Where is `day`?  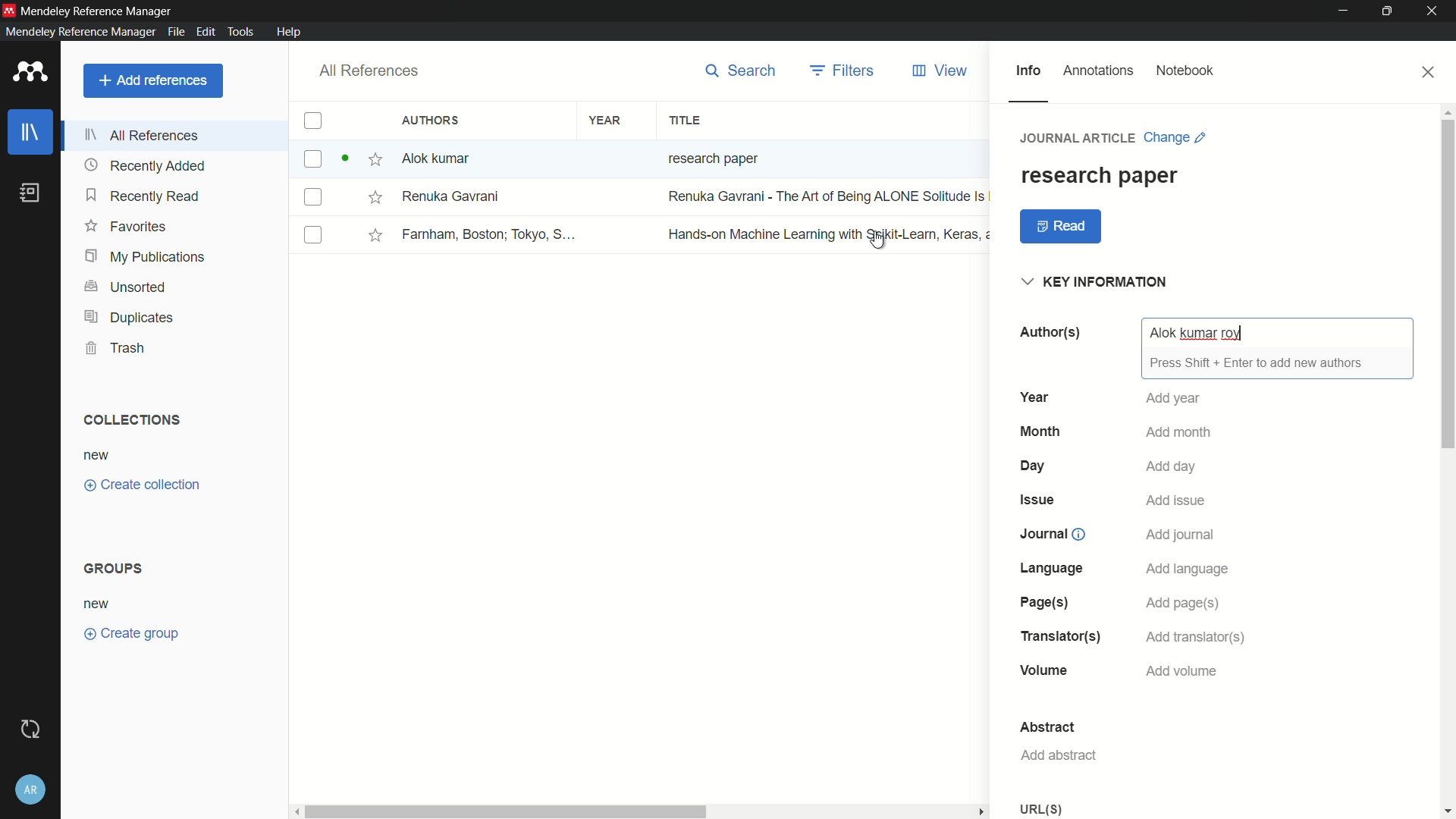
day is located at coordinates (1034, 466).